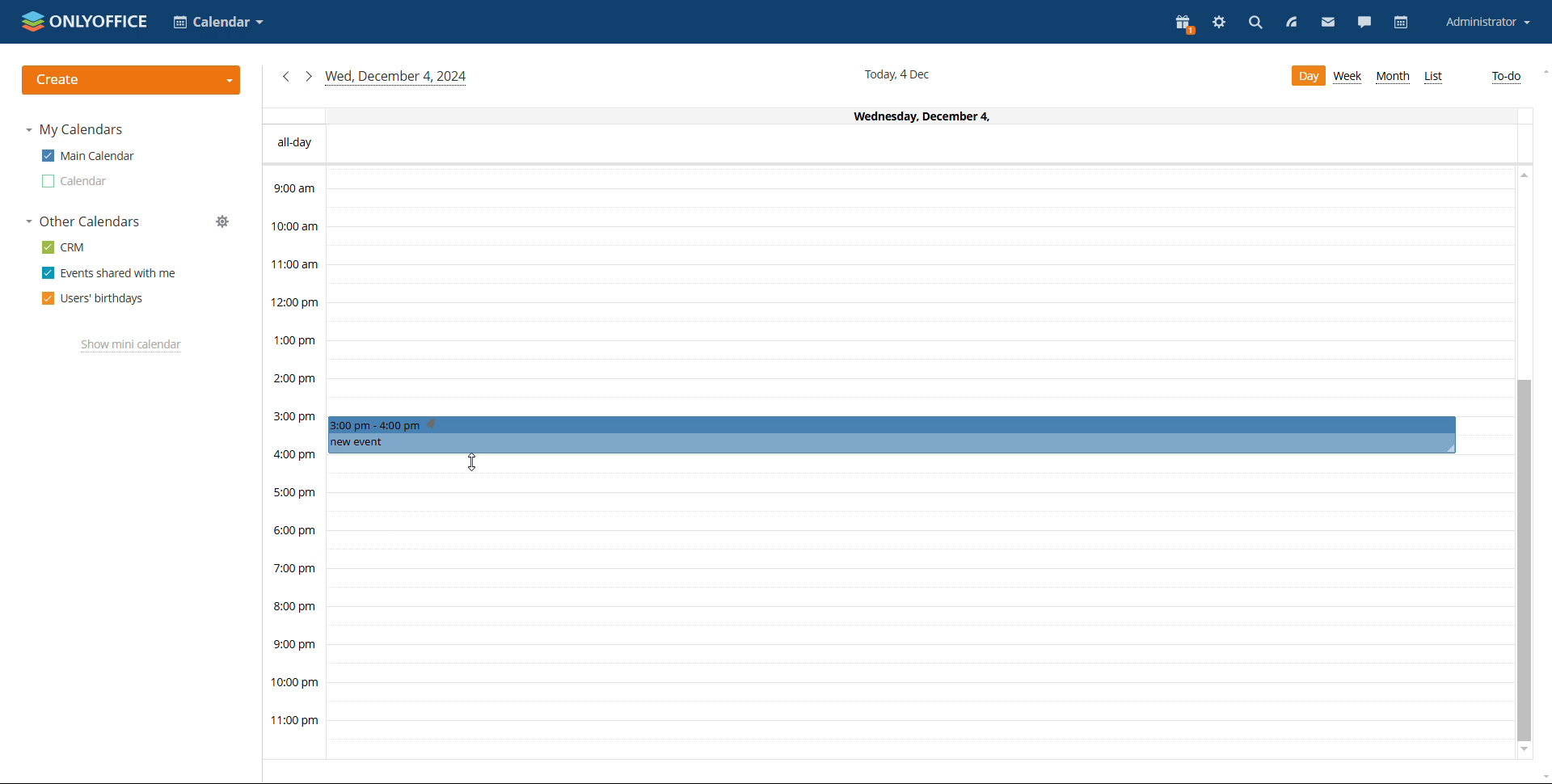  I want to click on present, so click(1183, 23).